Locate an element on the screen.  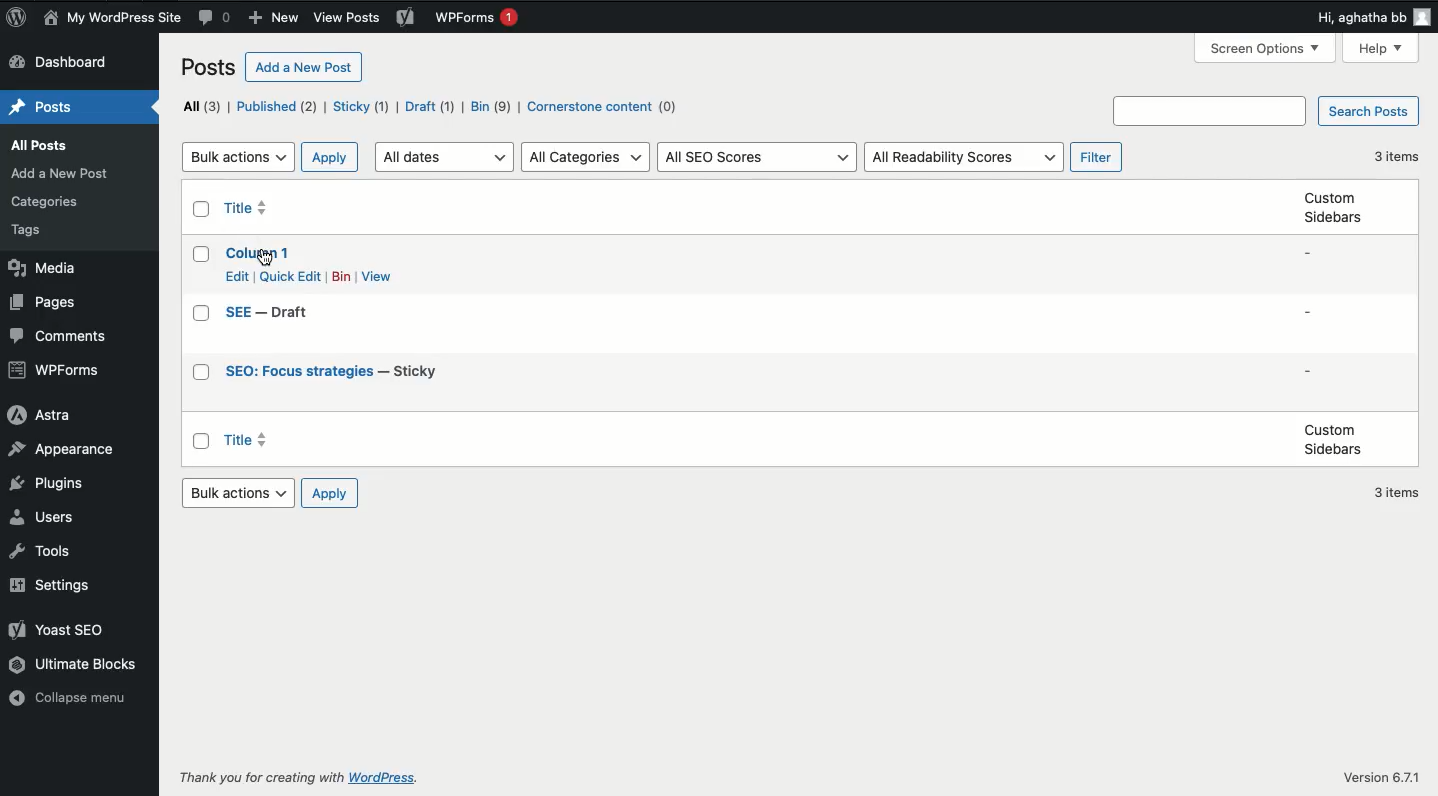
Comments is located at coordinates (216, 18).